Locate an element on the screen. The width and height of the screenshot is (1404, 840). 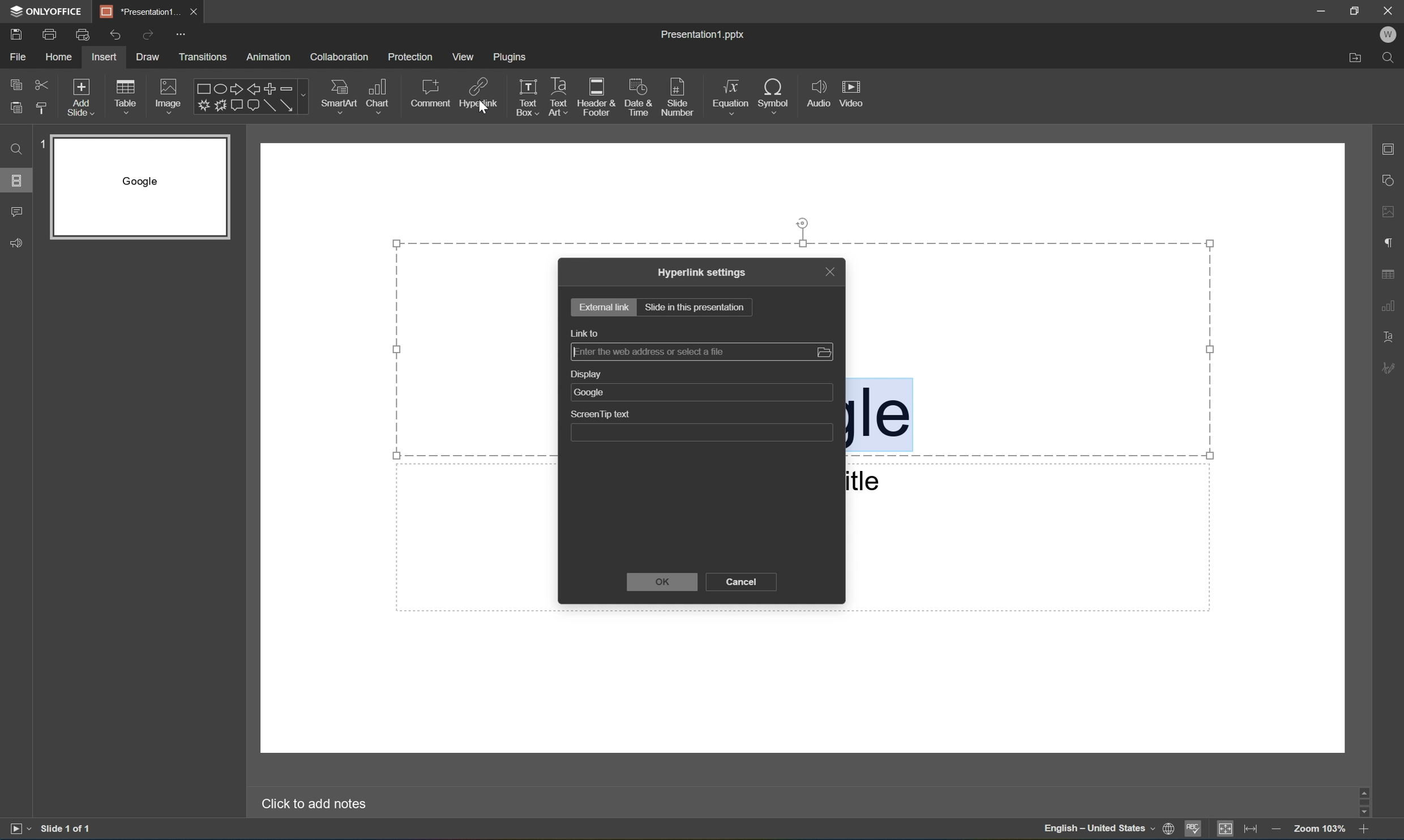
Close is located at coordinates (197, 11).